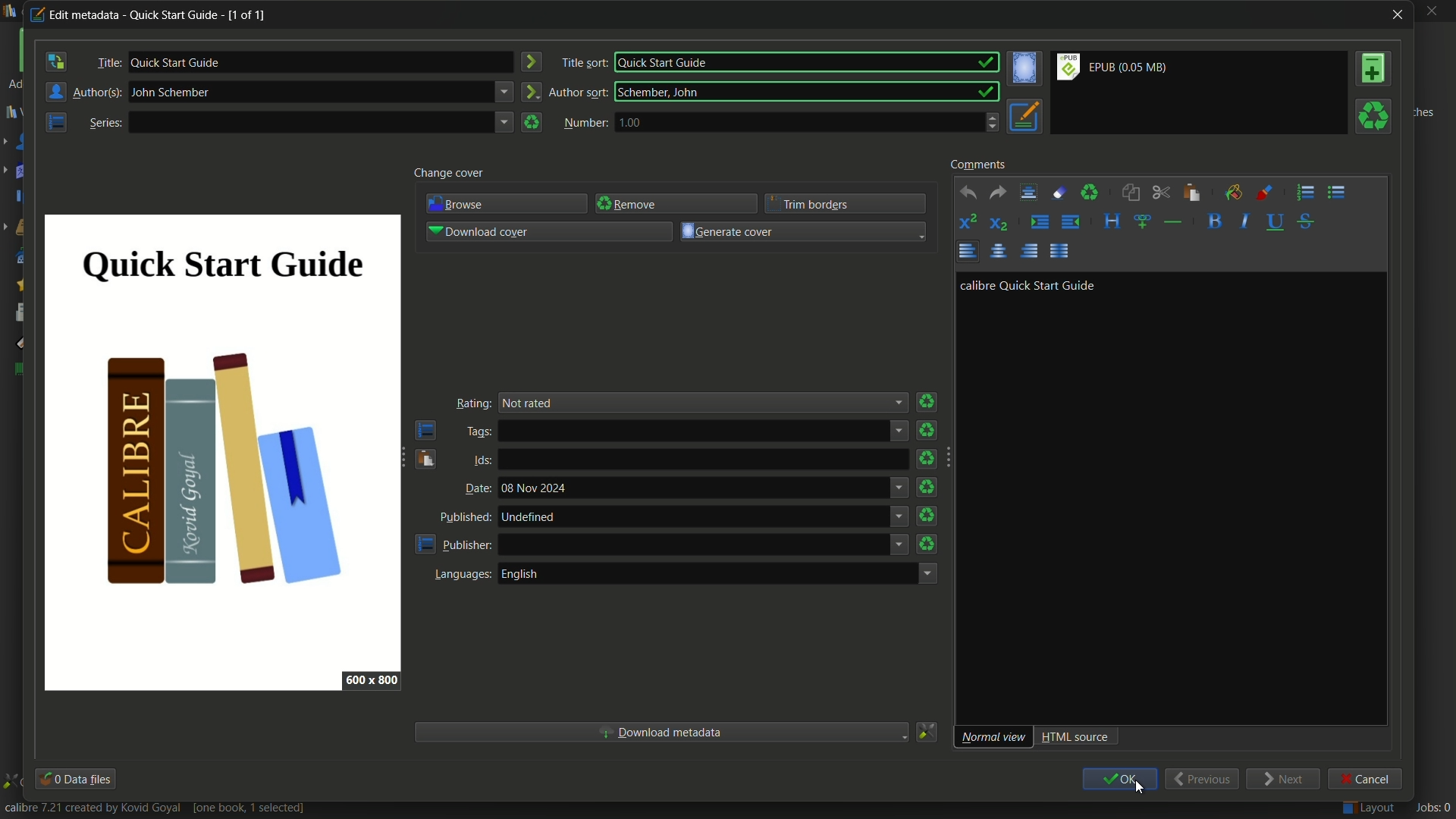 The image size is (1456, 819). Describe the element at coordinates (927, 460) in the screenshot. I see `remove` at that location.